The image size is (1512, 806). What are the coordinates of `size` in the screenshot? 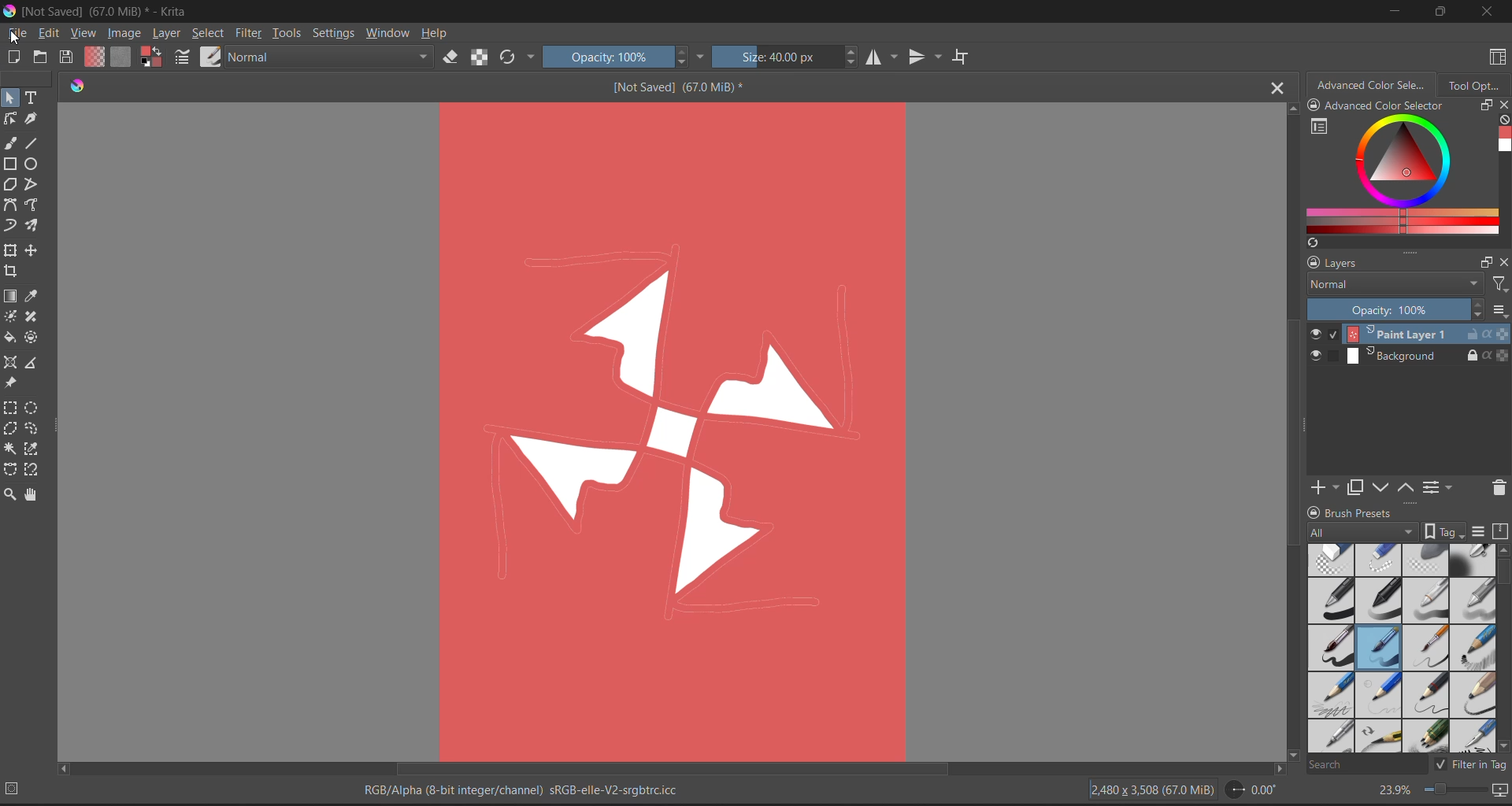 It's located at (783, 58).